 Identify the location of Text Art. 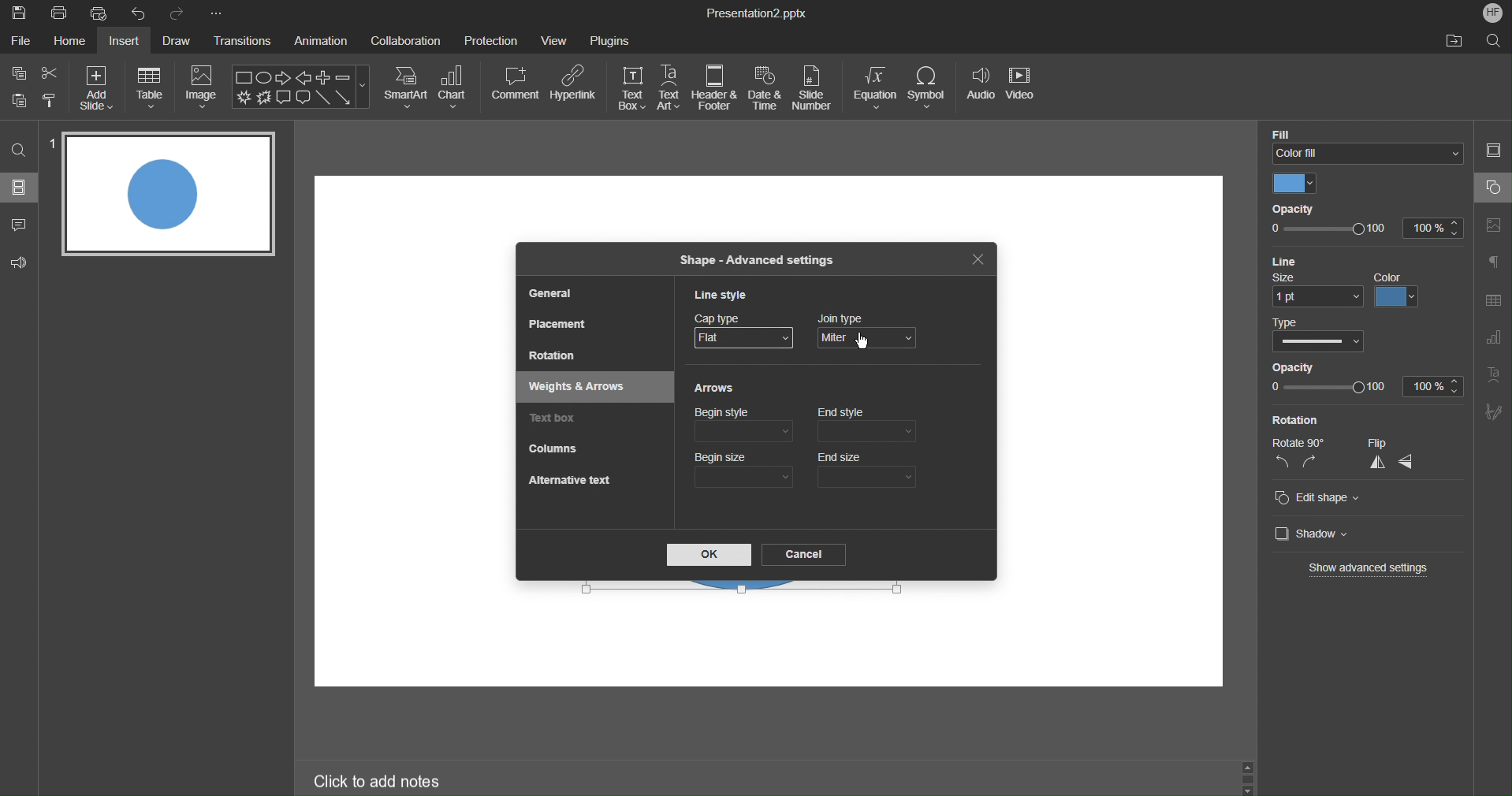
(1495, 379).